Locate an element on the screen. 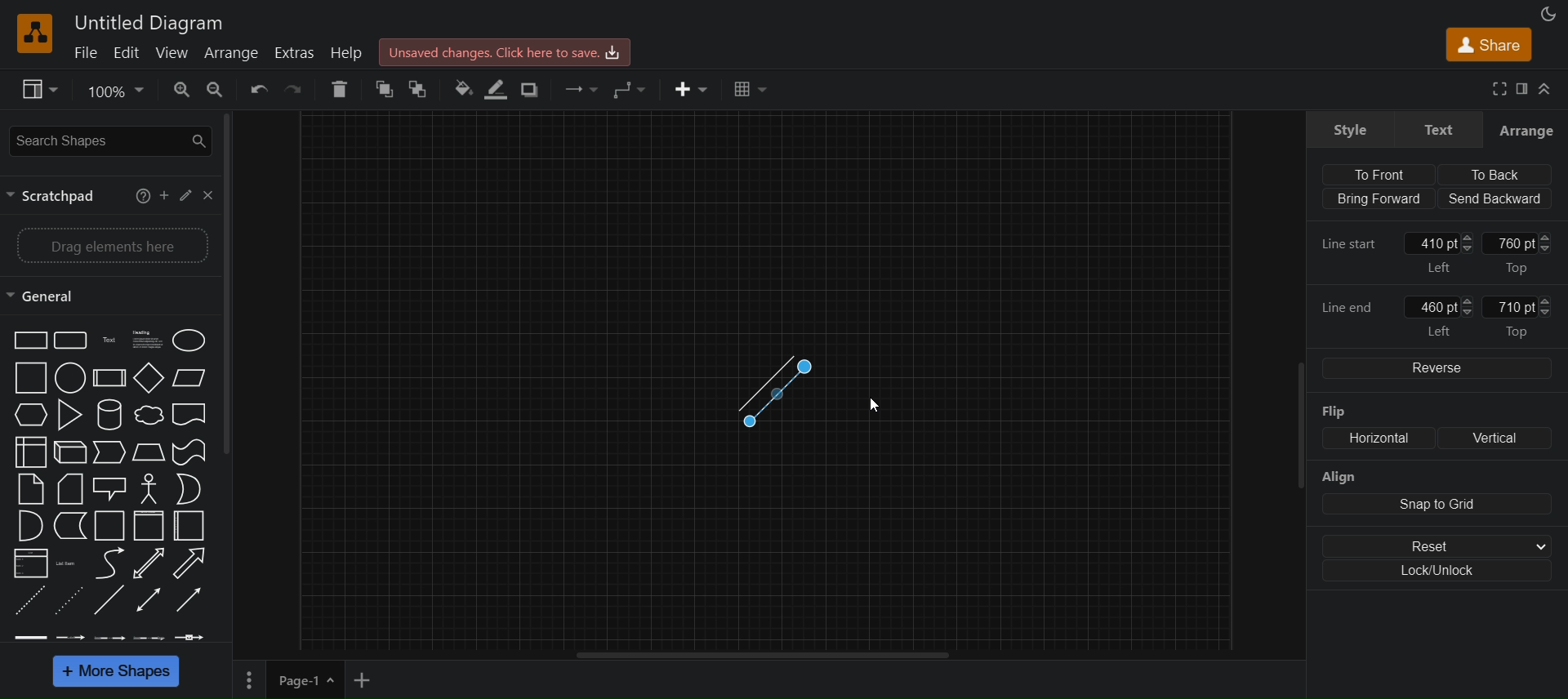 The image size is (1568, 699). Circle is located at coordinates (190, 339).